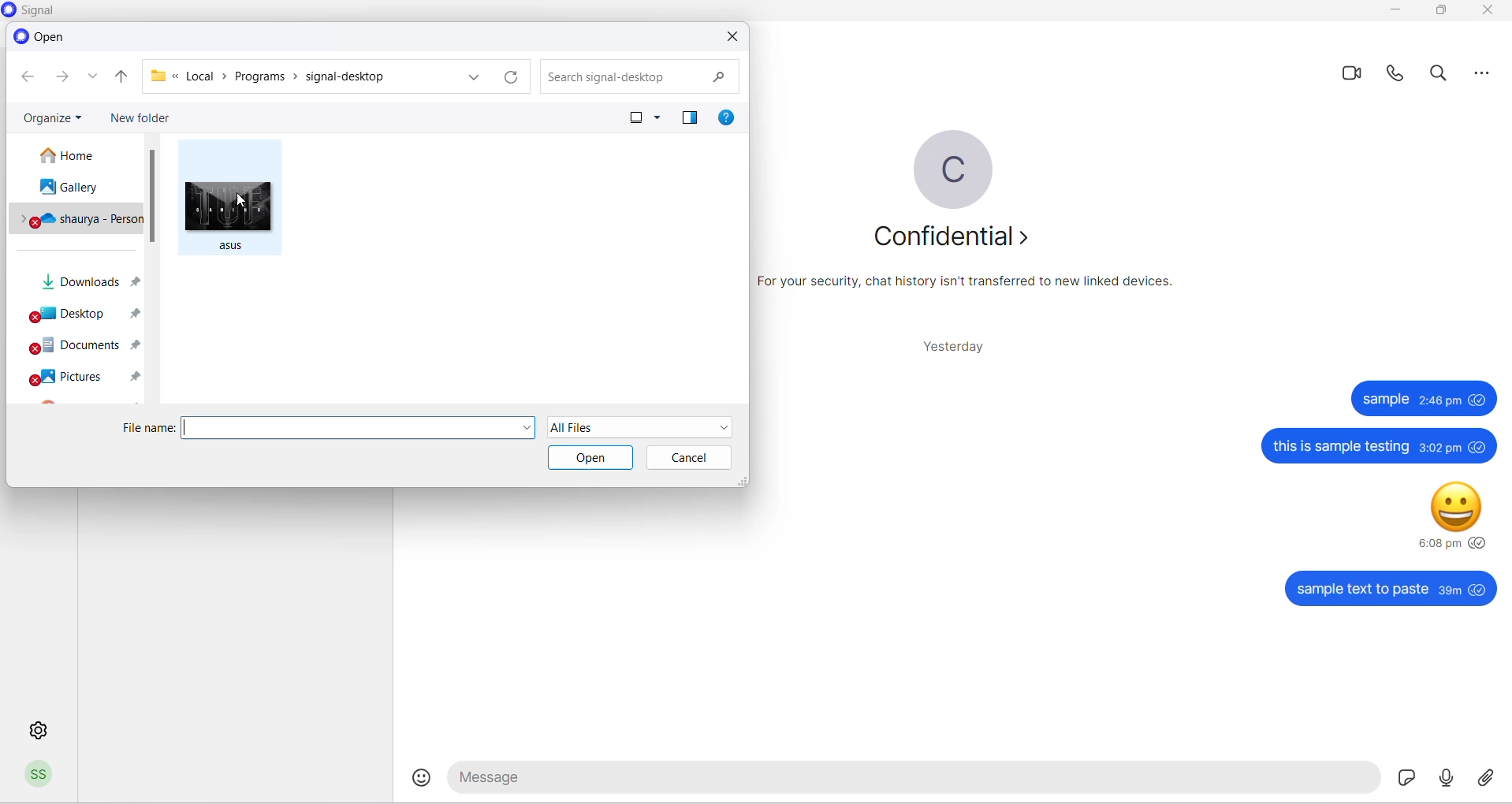 This screenshot has width=1512, height=804. I want to click on minimize, so click(1397, 12).